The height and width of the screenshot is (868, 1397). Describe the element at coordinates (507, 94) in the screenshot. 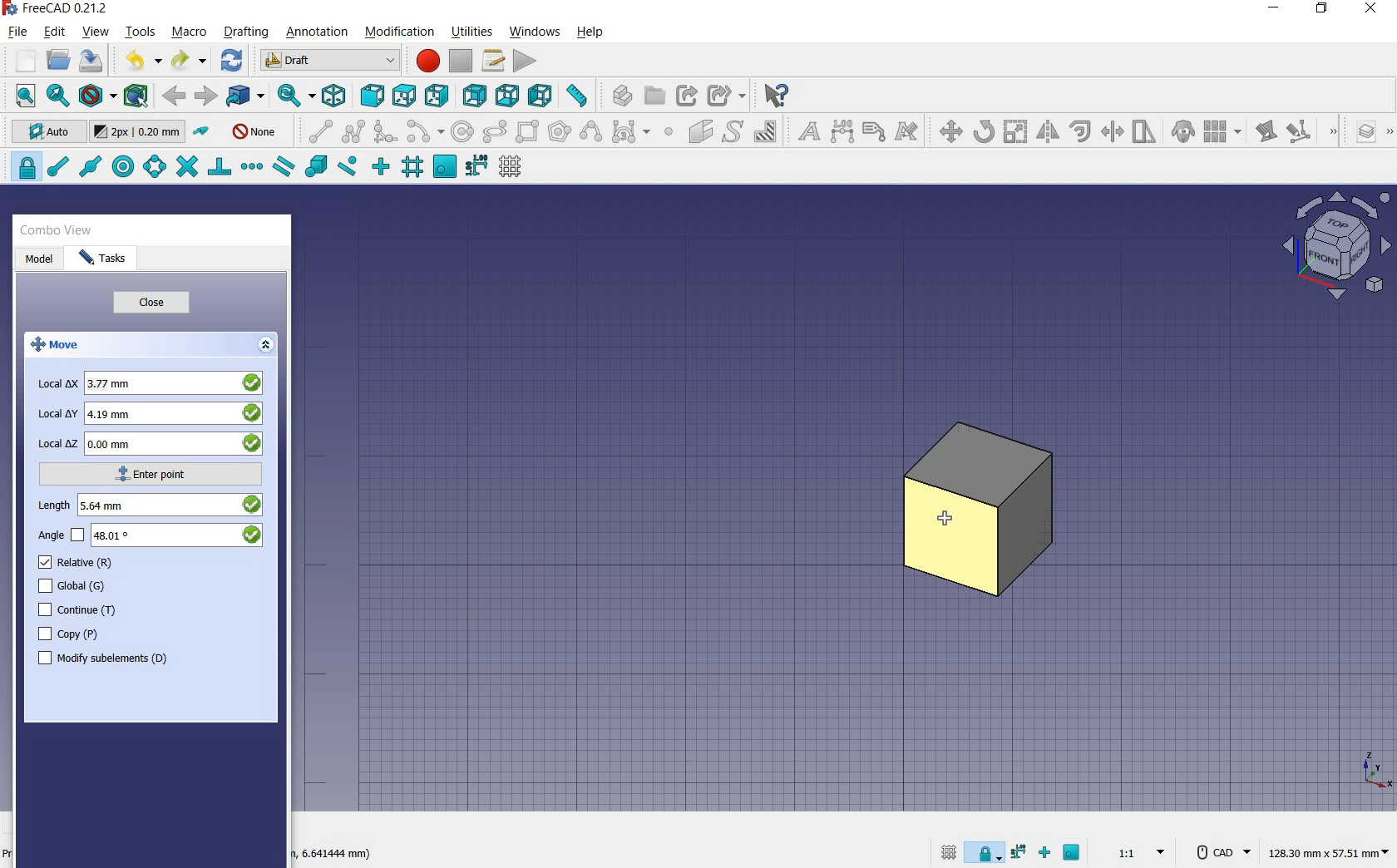

I see `bottom` at that location.